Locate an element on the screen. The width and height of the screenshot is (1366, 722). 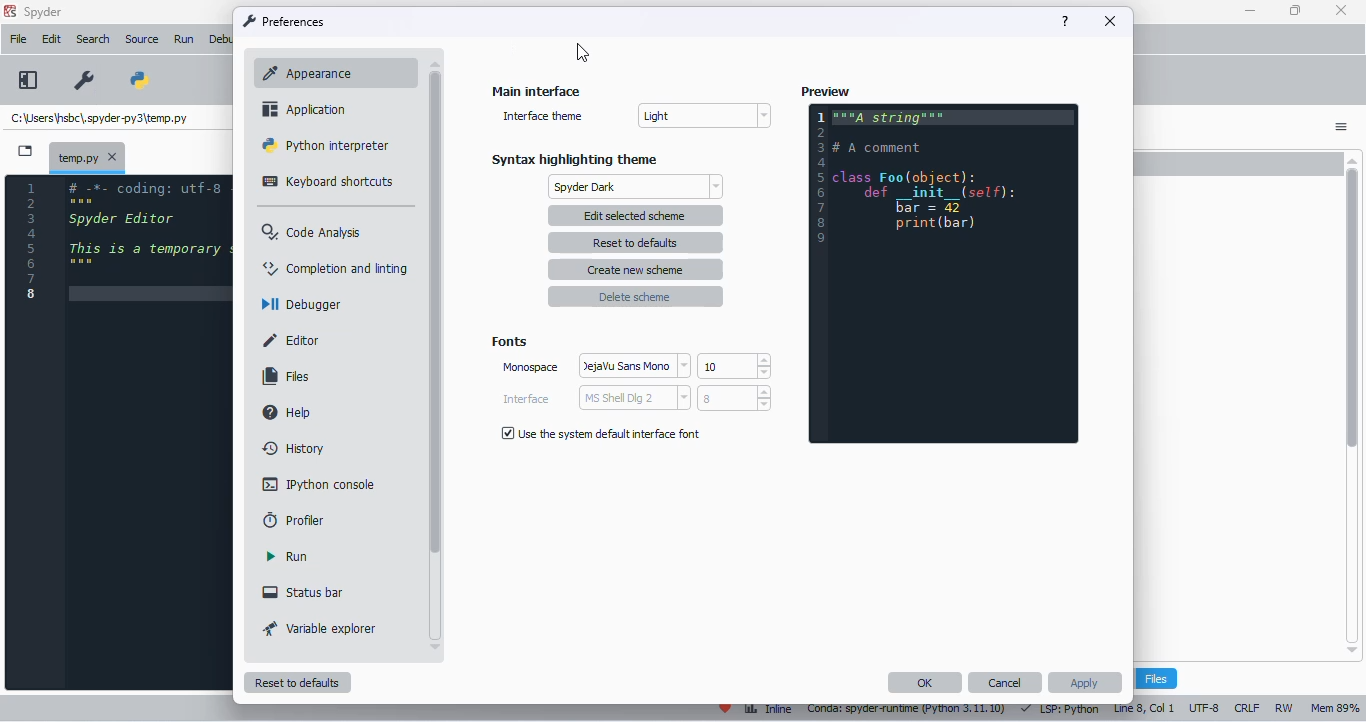
maximize current pane is located at coordinates (27, 79).